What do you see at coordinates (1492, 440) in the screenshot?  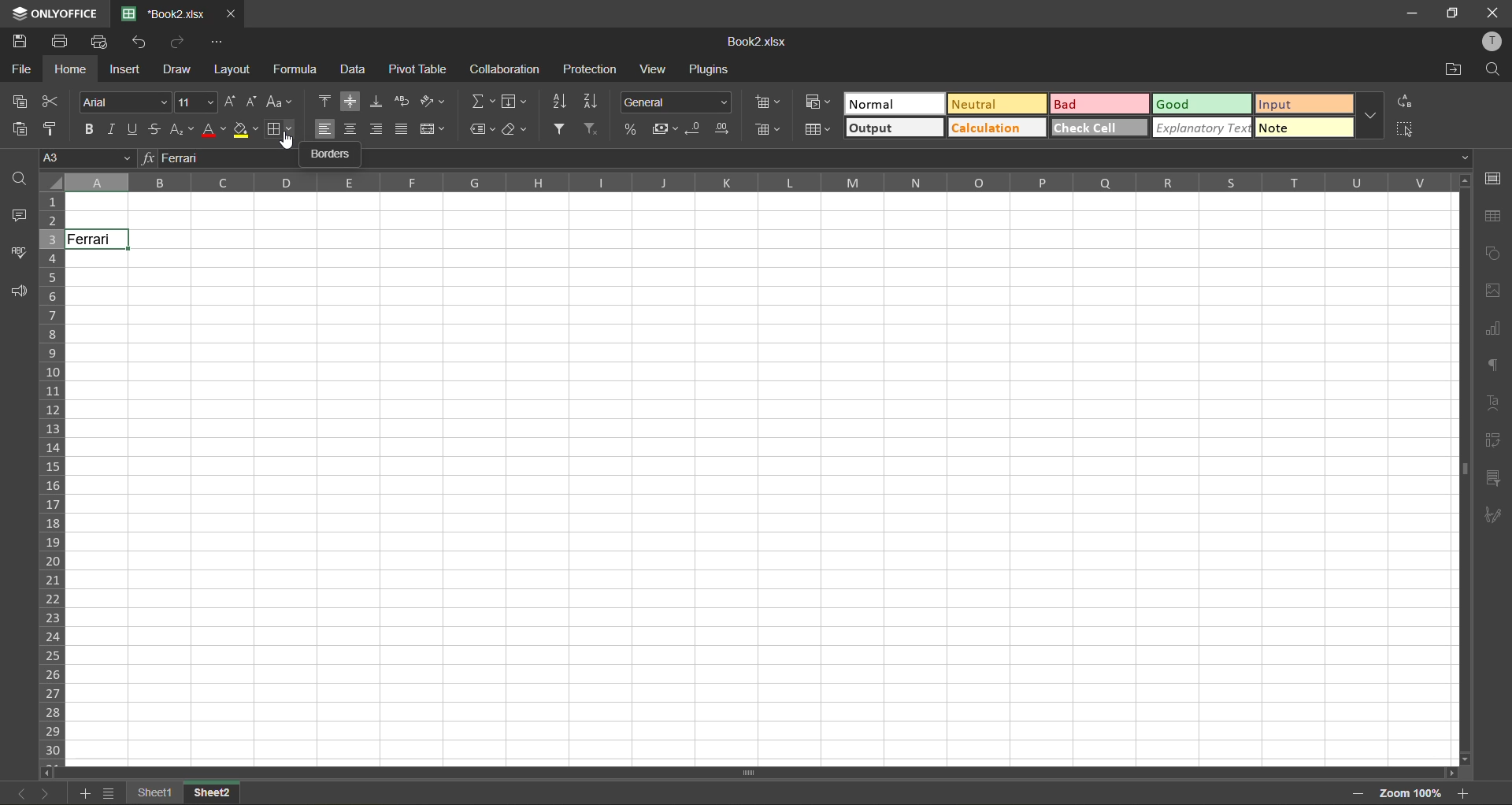 I see `pivot table` at bounding box center [1492, 440].